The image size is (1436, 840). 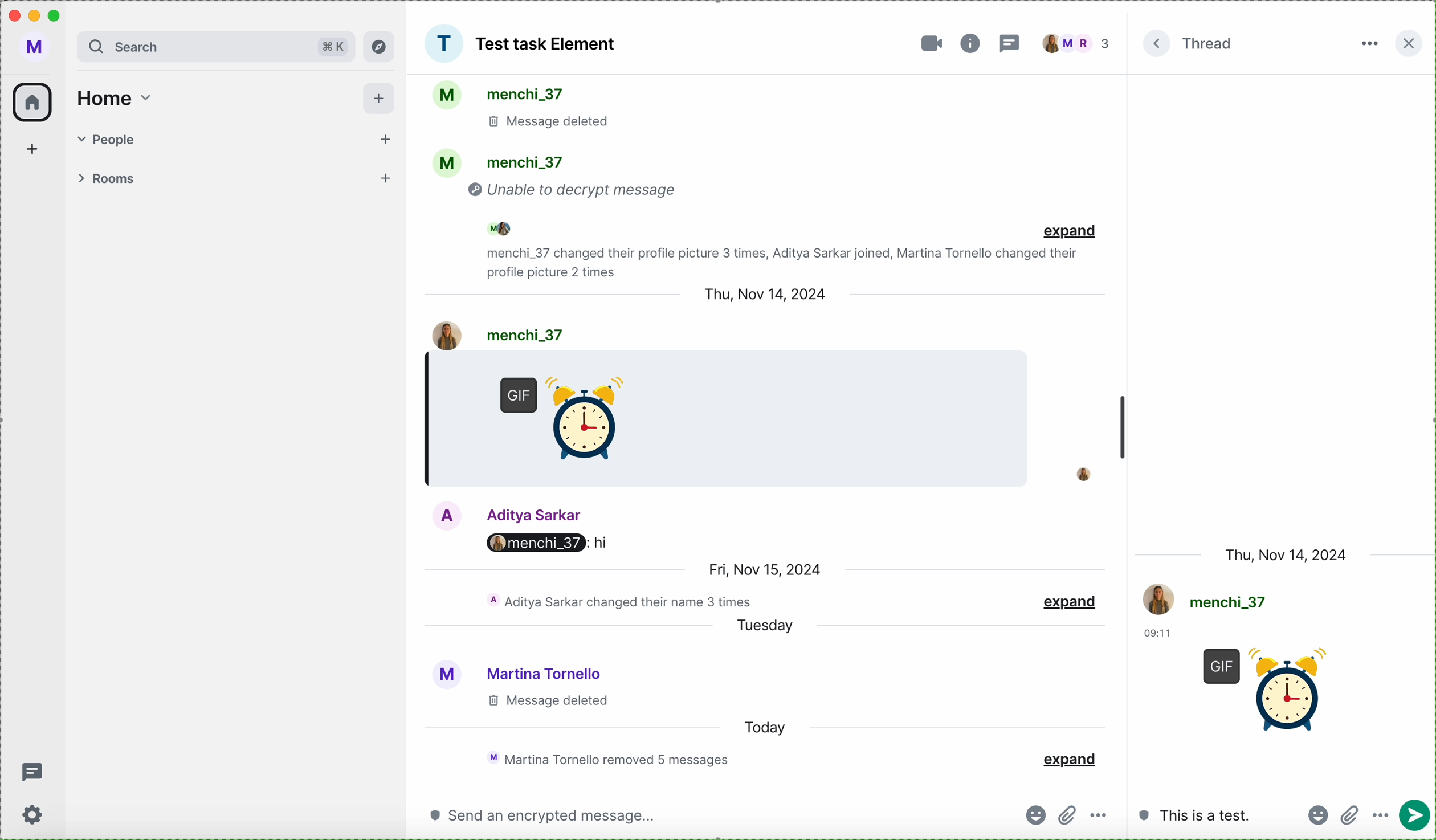 What do you see at coordinates (1316, 814) in the screenshot?
I see `emojis` at bounding box center [1316, 814].